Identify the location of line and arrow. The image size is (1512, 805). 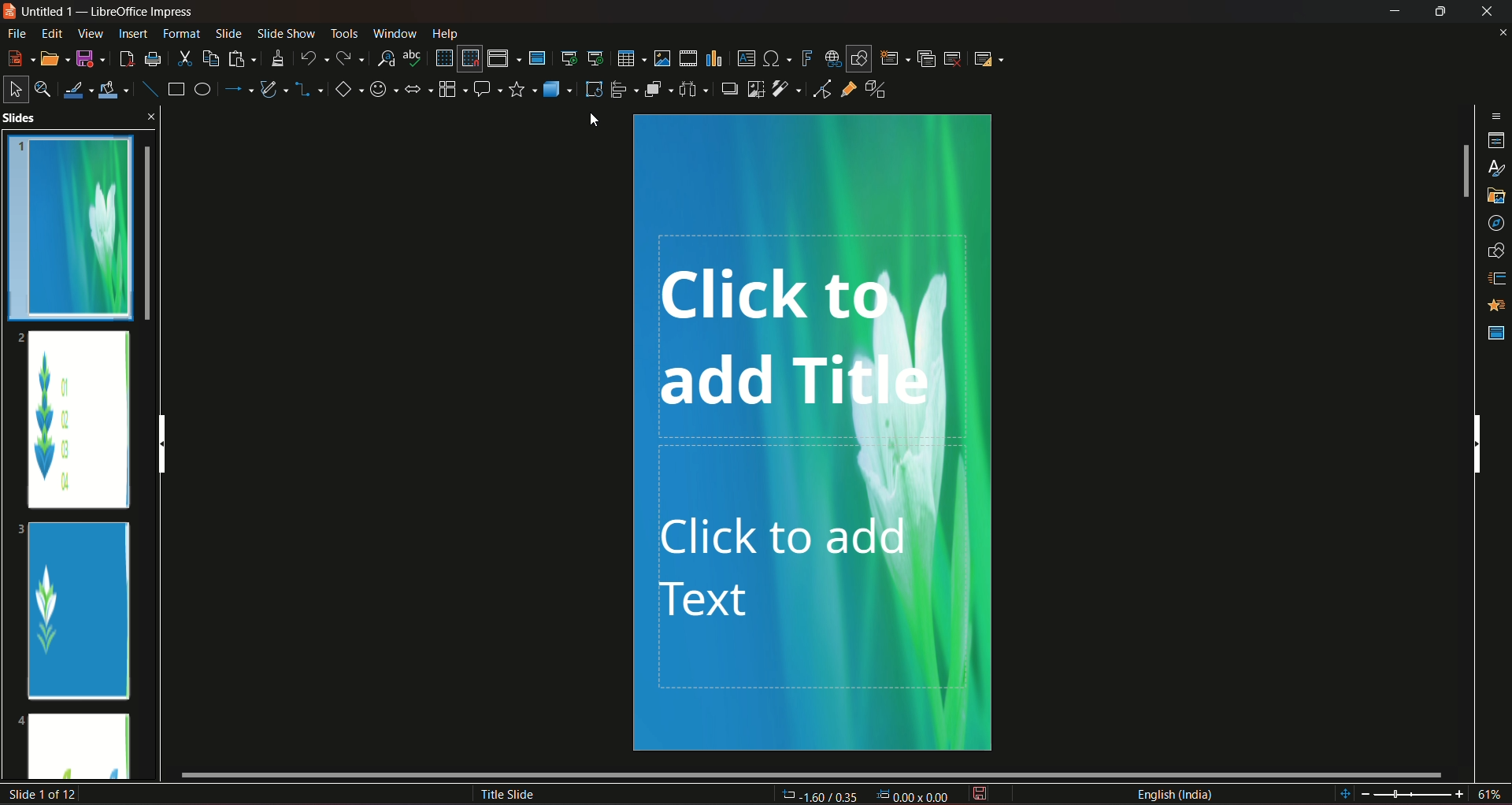
(239, 89).